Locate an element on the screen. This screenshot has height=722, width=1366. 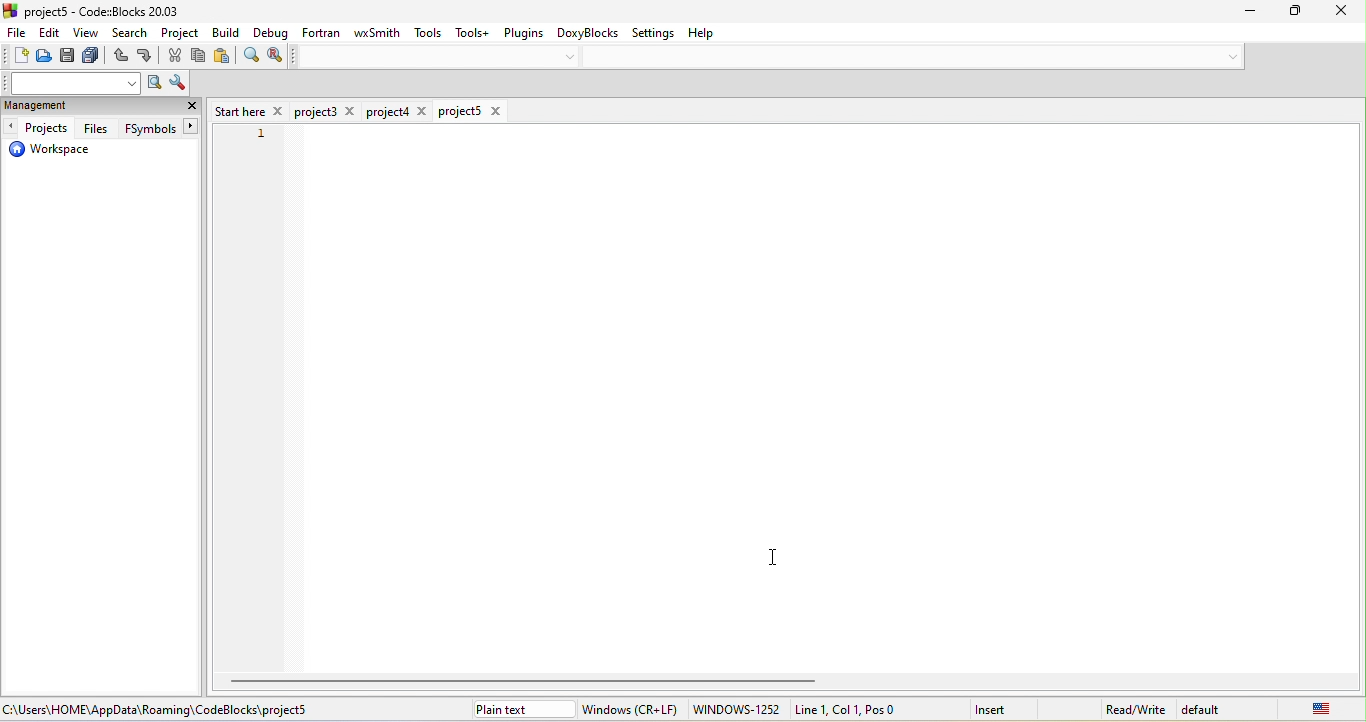
new template file is located at coordinates (473, 114).